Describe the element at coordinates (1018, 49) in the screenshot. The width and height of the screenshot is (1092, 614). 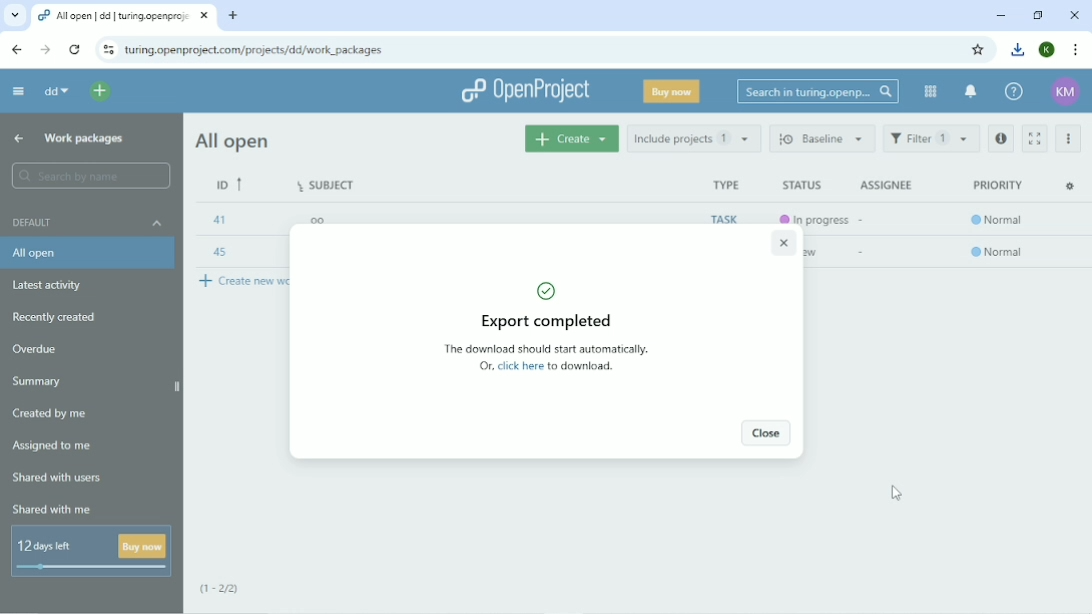
I see `Downloads` at that location.